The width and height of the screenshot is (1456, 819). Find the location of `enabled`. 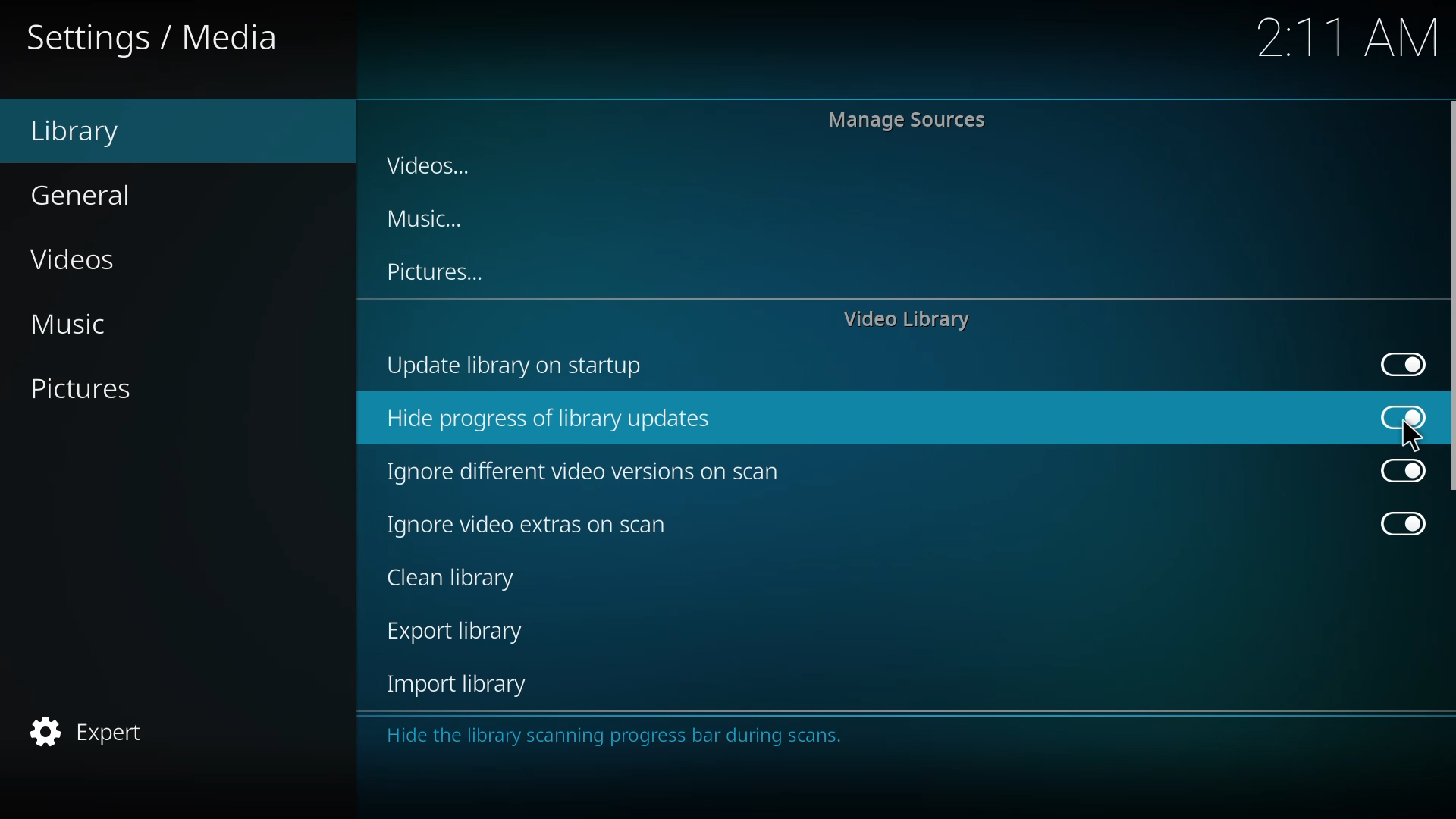

enabled is located at coordinates (1397, 525).